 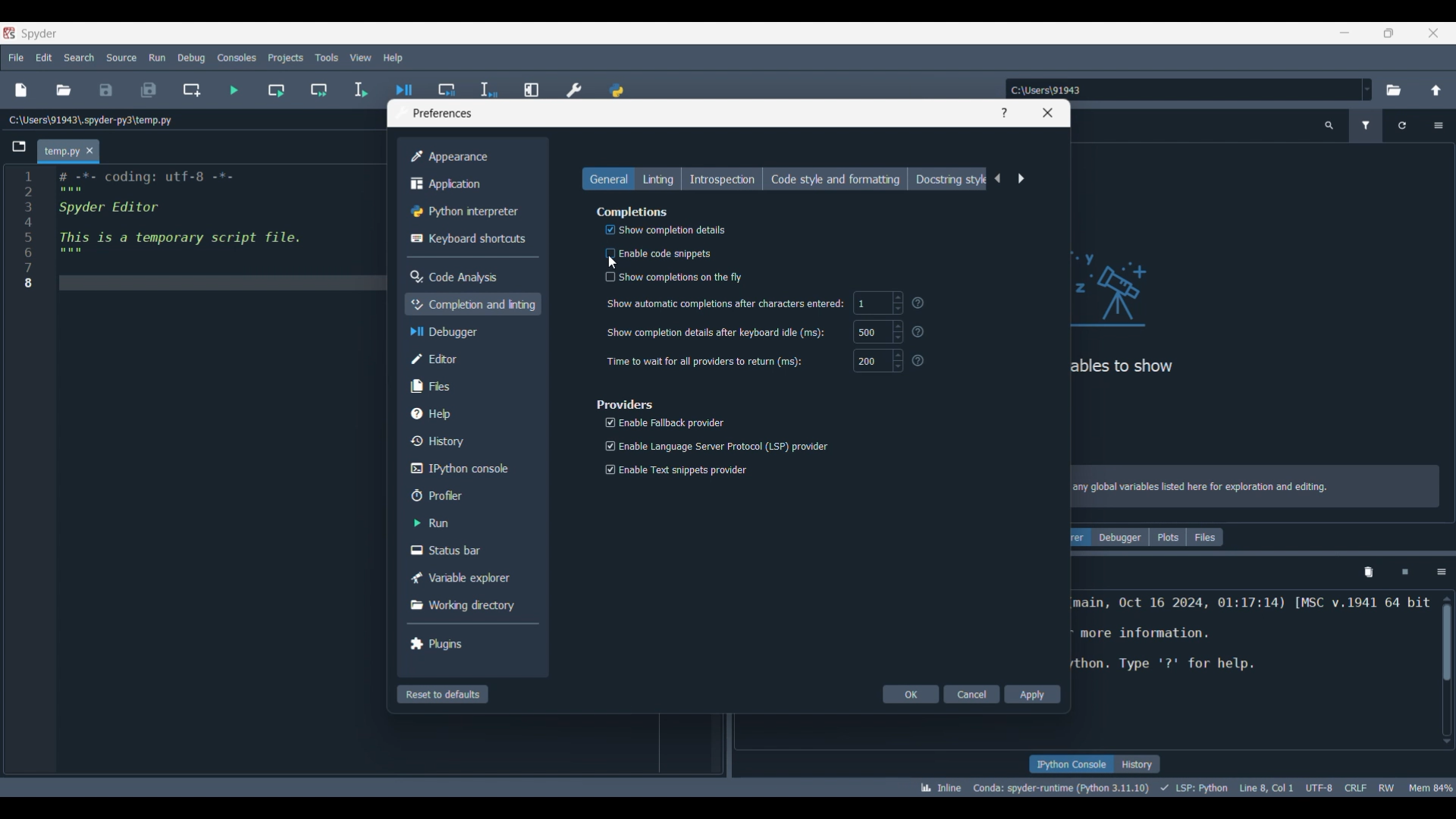 I want to click on 1, so click(x=878, y=303).